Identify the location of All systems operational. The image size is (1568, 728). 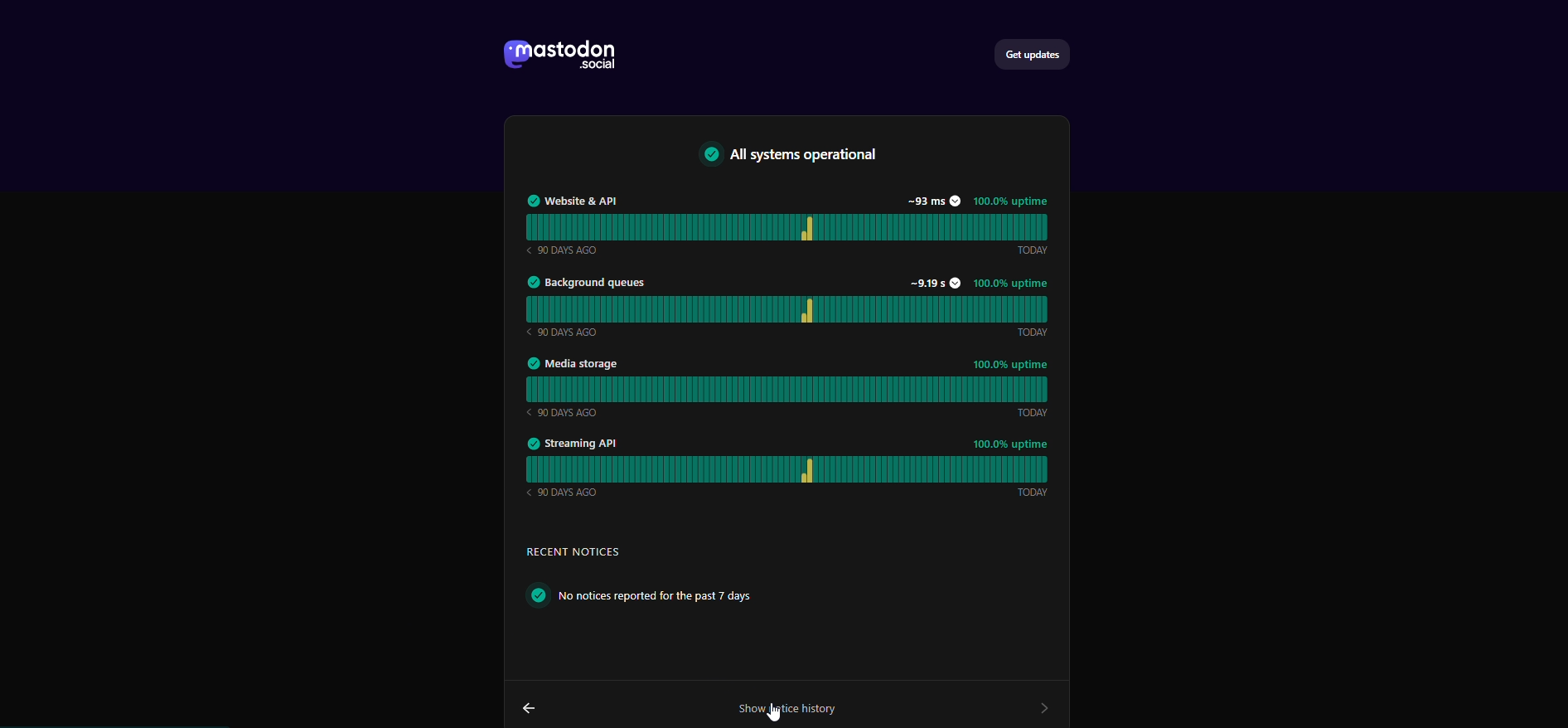
(804, 156).